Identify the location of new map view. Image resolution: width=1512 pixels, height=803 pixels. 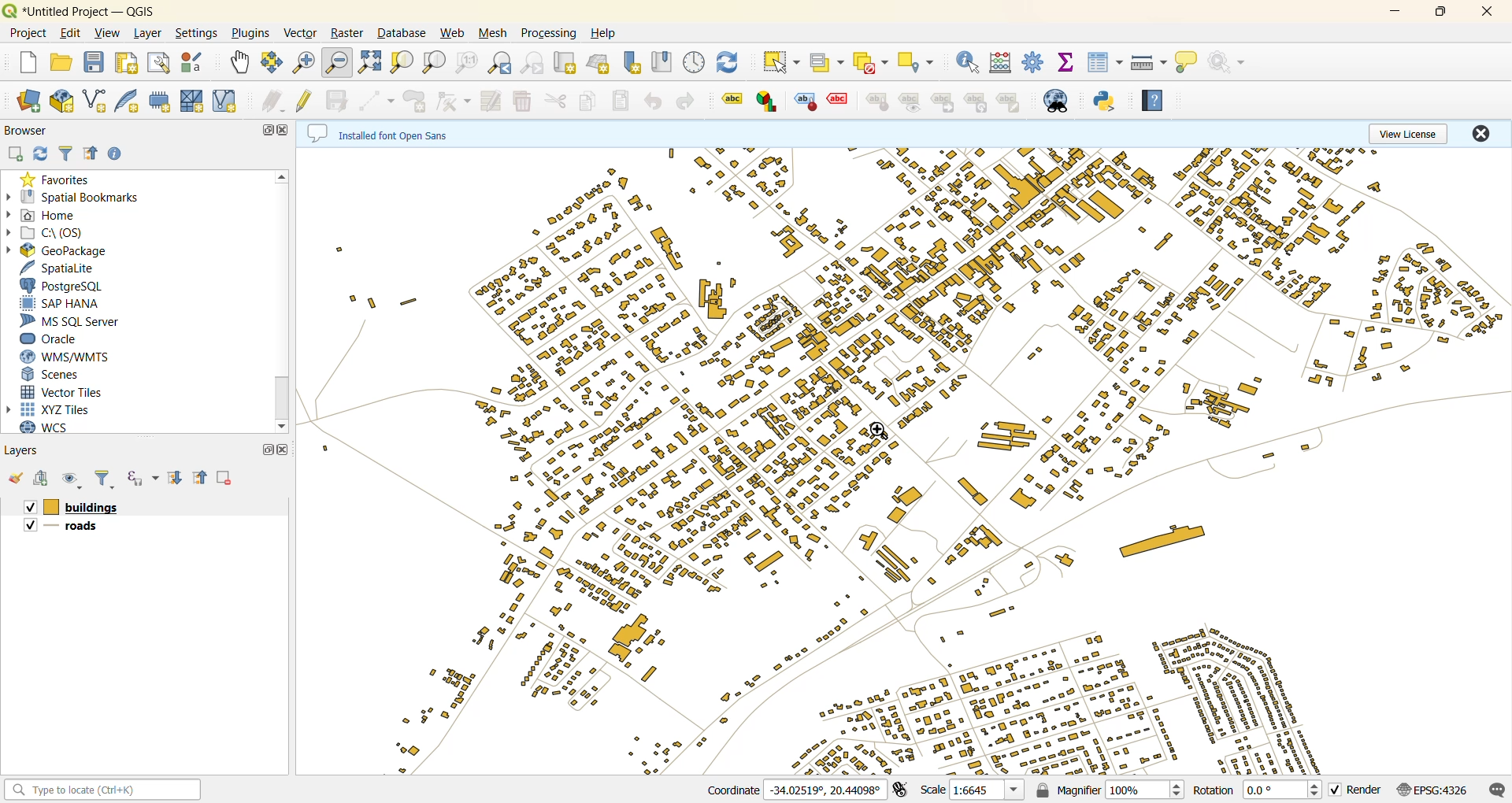
(565, 62).